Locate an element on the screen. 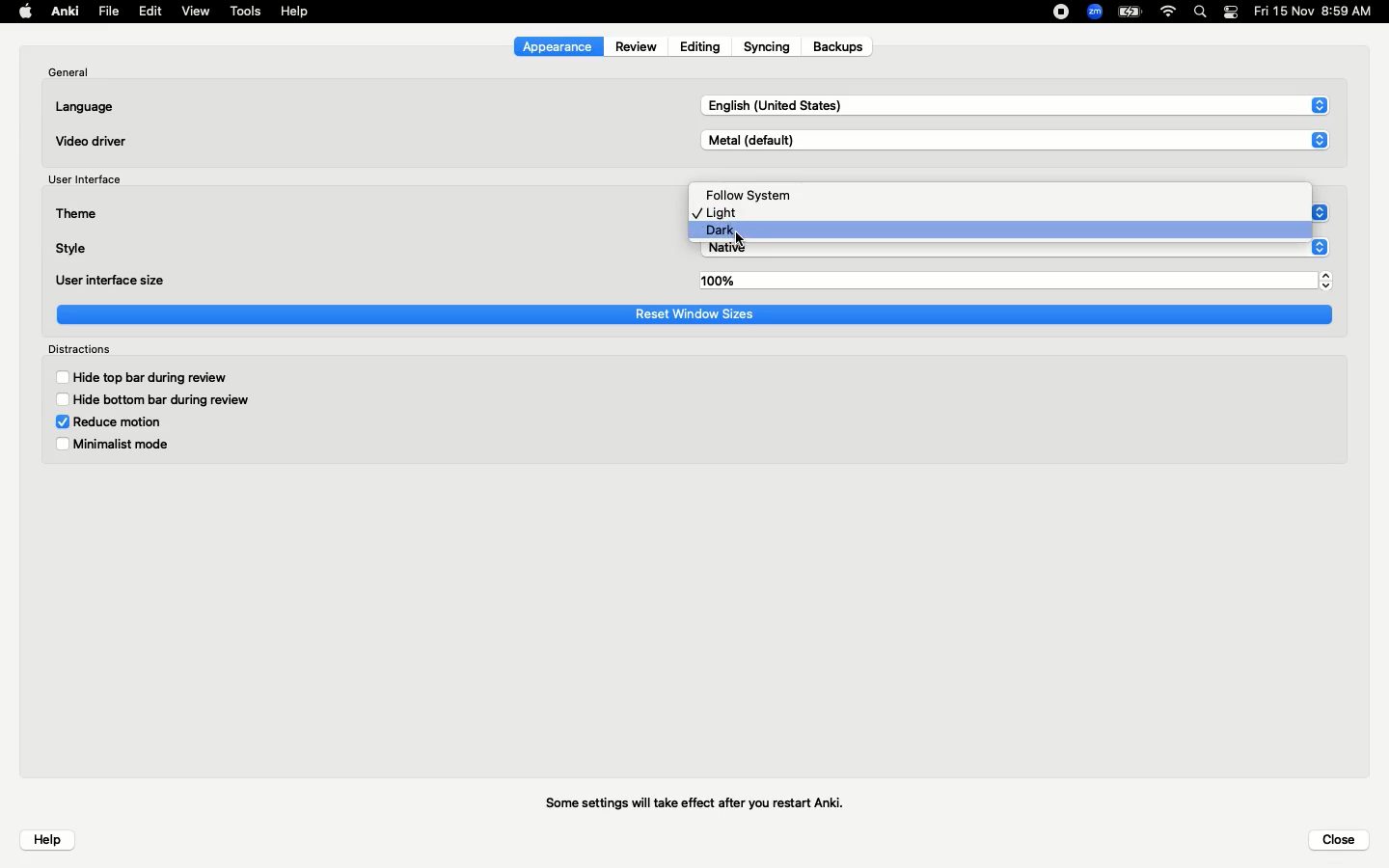  Video driver is located at coordinates (97, 140).